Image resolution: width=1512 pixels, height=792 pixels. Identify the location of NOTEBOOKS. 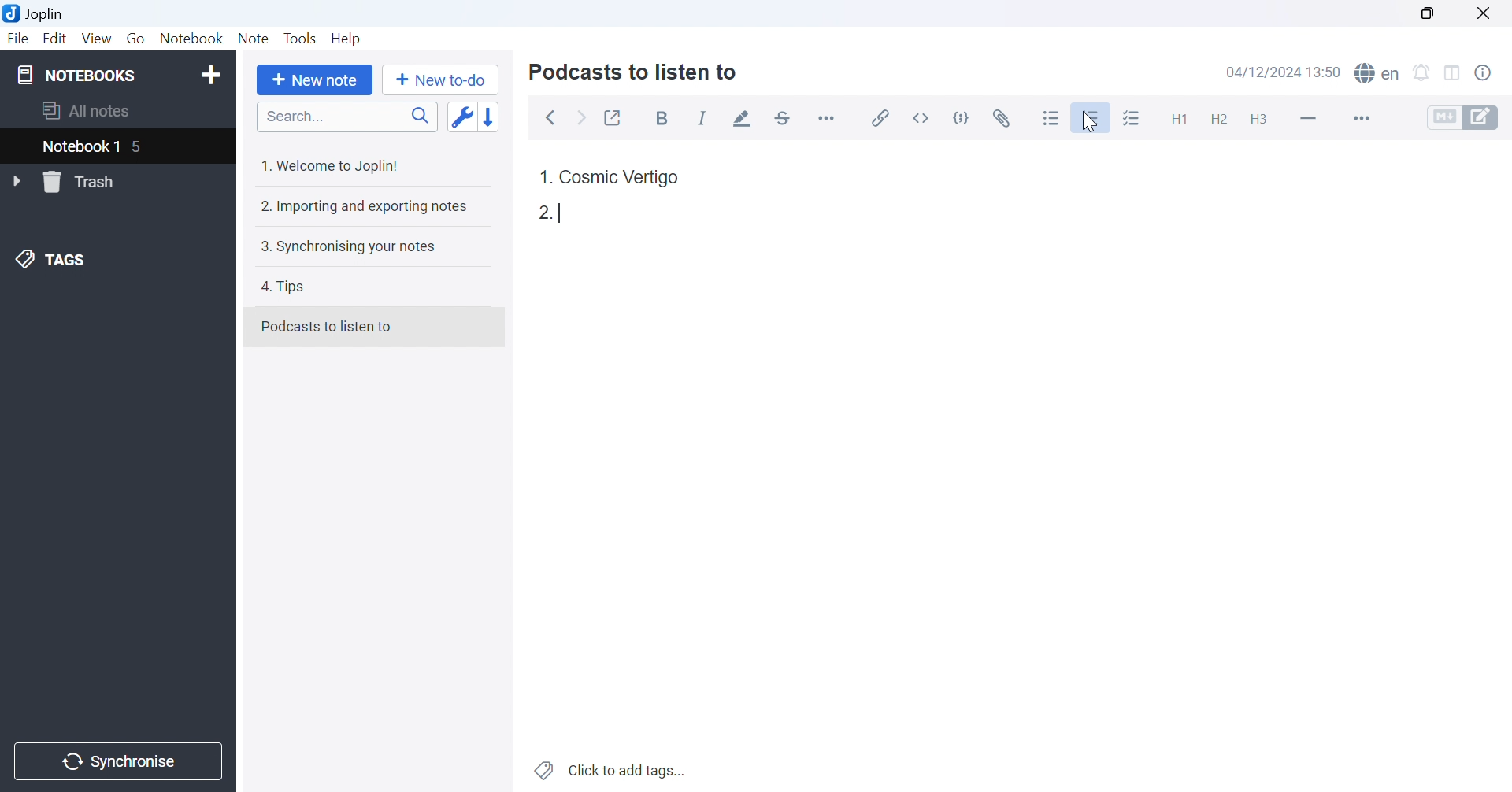
(76, 73).